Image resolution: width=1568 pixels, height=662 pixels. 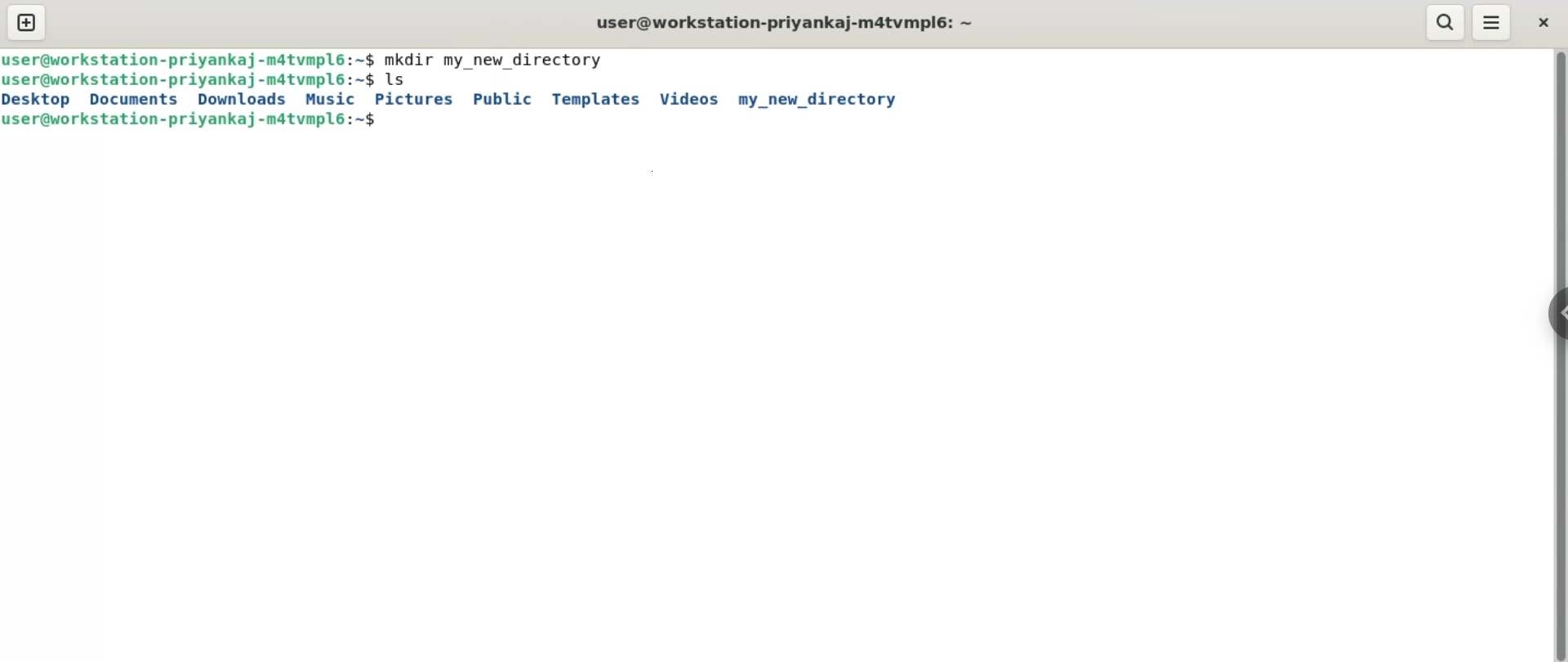 I want to click on menu, so click(x=1492, y=20).